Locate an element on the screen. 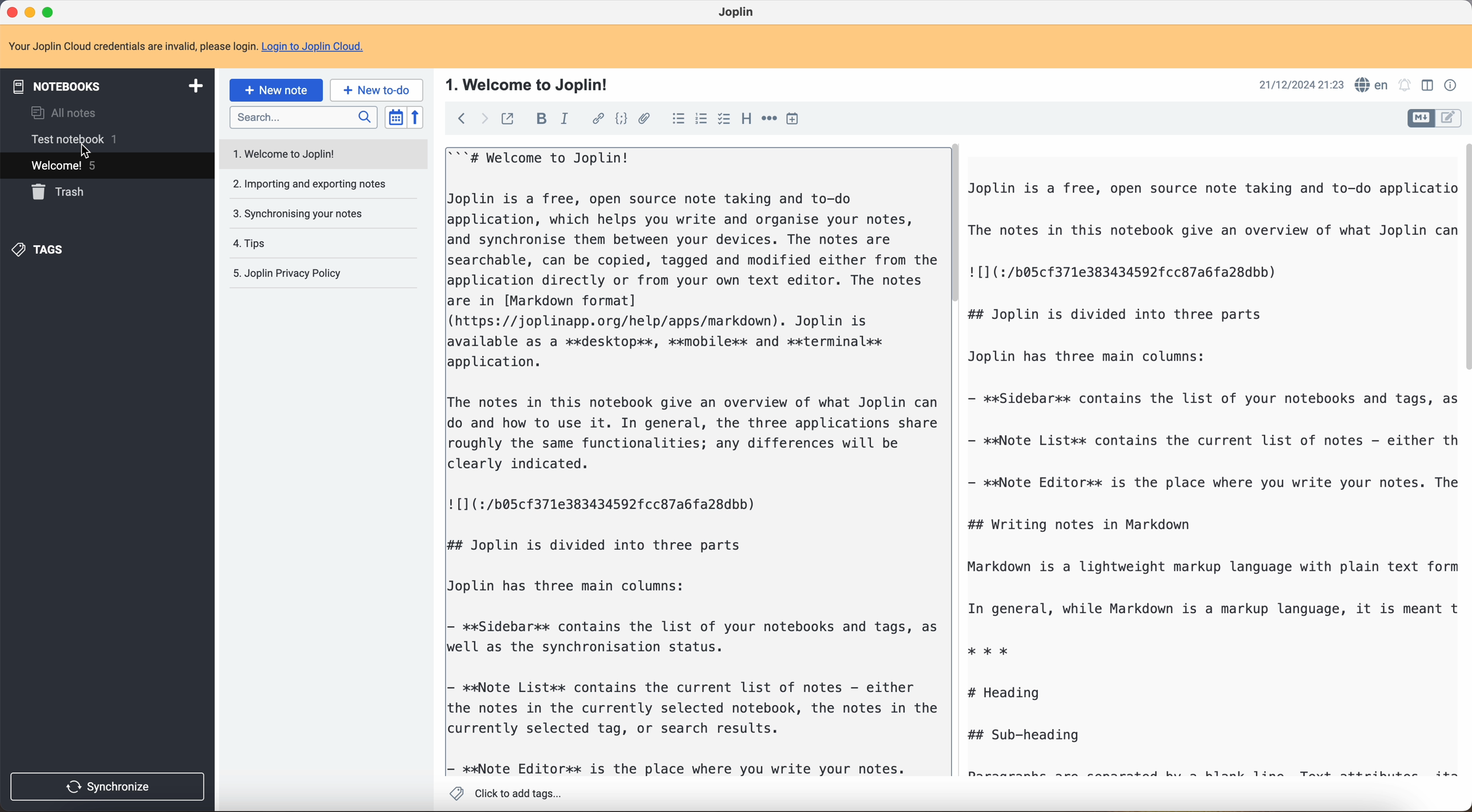 The width and height of the screenshot is (1472, 812). test notebook is located at coordinates (74, 139).